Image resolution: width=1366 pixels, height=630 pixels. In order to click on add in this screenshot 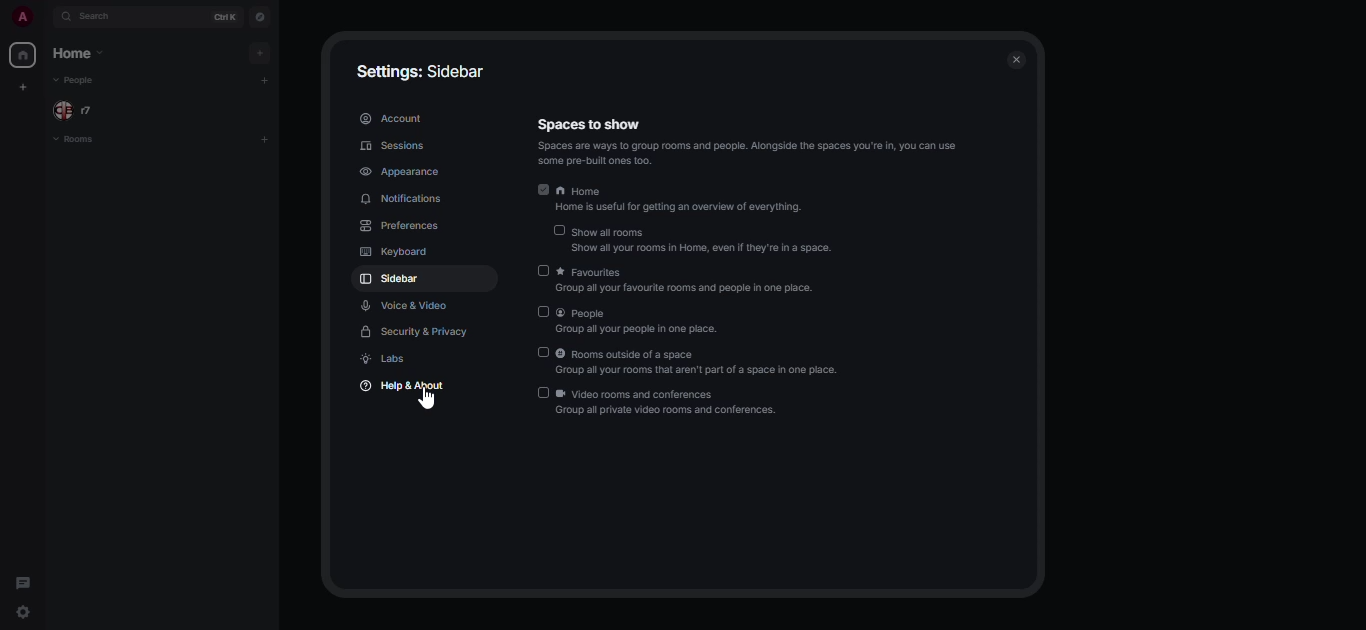, I will do `click(262, 53)`.